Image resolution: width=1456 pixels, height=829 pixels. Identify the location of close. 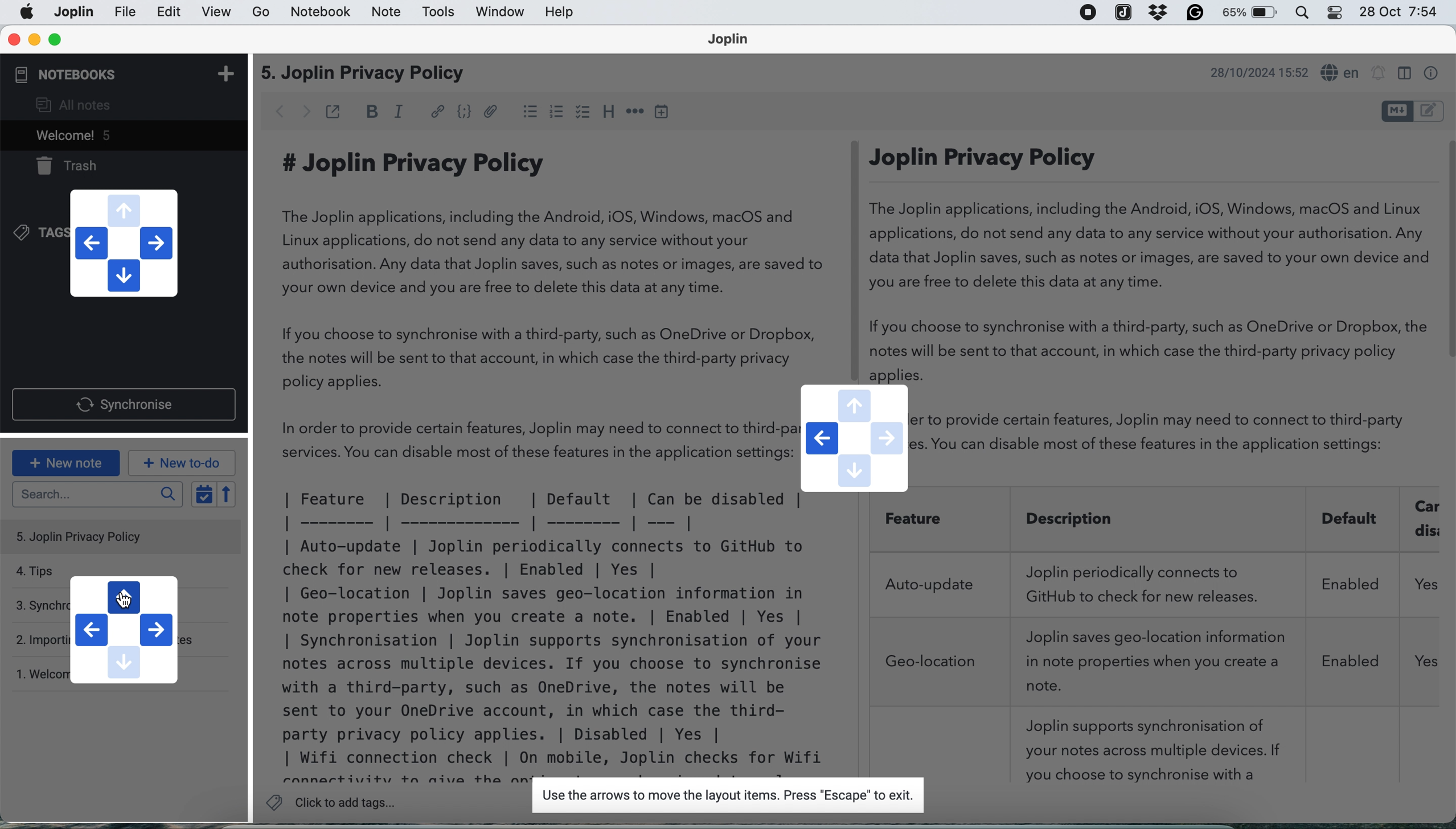
(13, 40).